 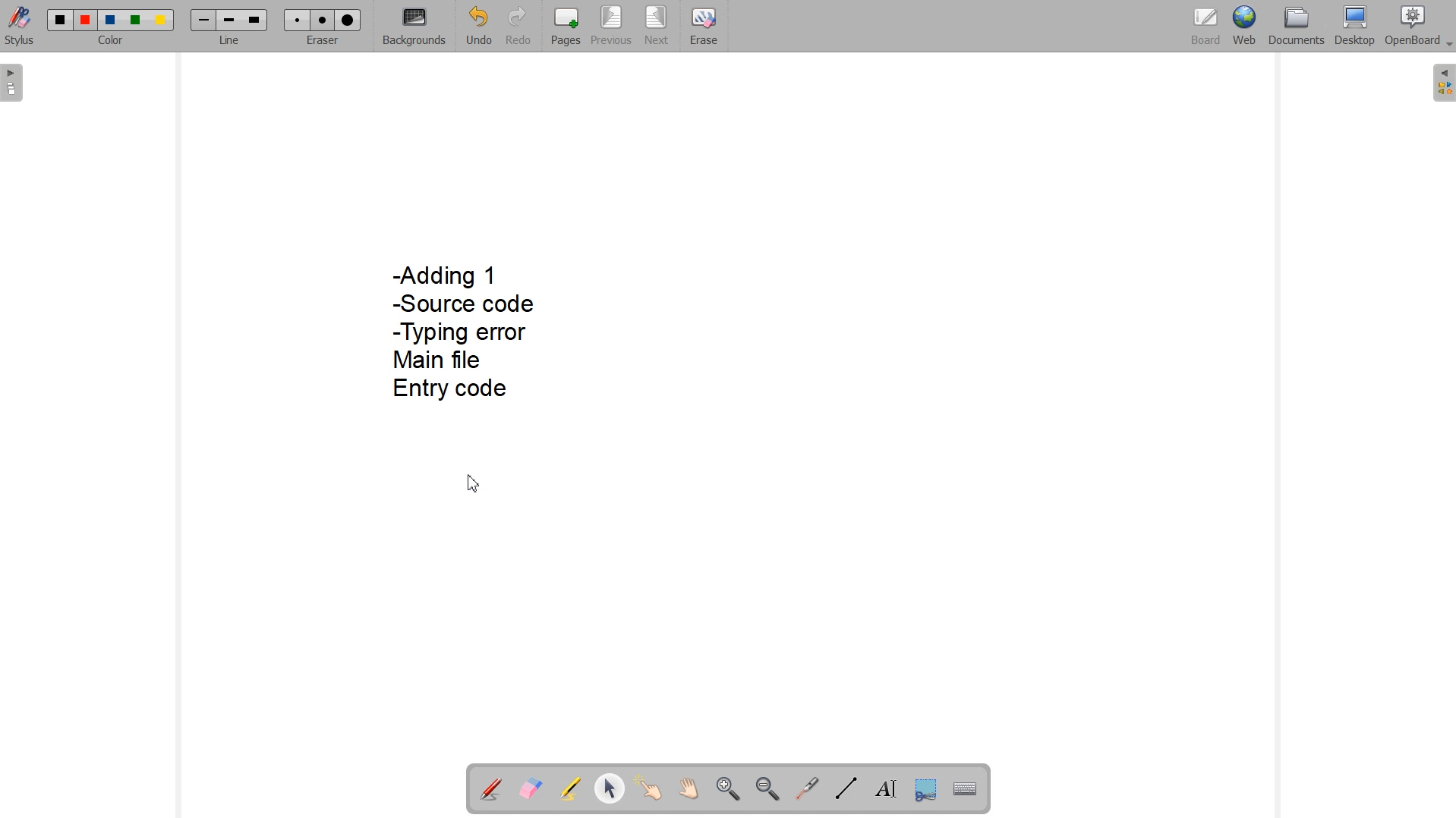 What do you see at coordinates (566, 26) in the screenshot?
I see `Pages` at bounding box center [566, 26].